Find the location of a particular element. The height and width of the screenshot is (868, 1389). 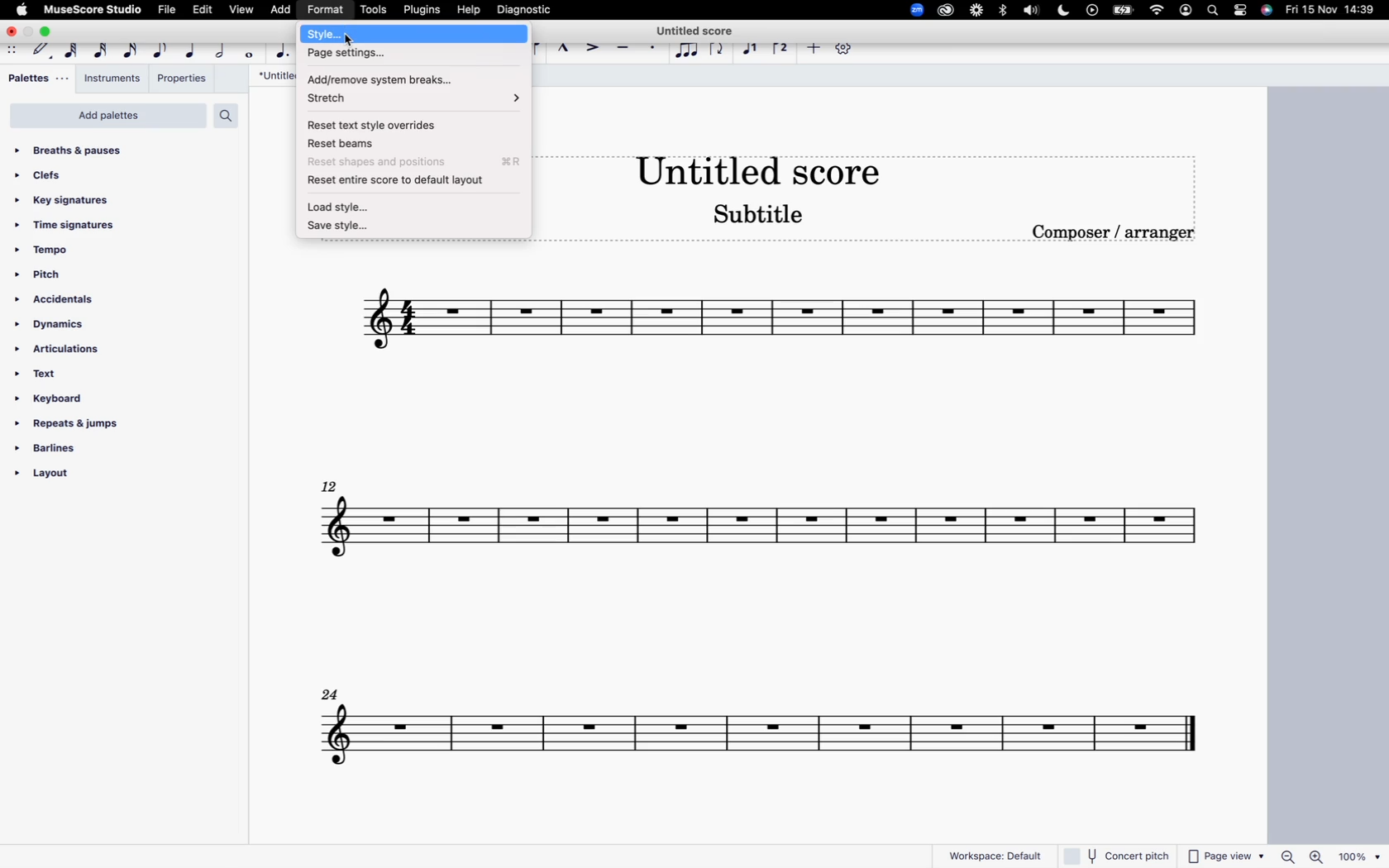

wifi is located at coordinates (1155, 11).